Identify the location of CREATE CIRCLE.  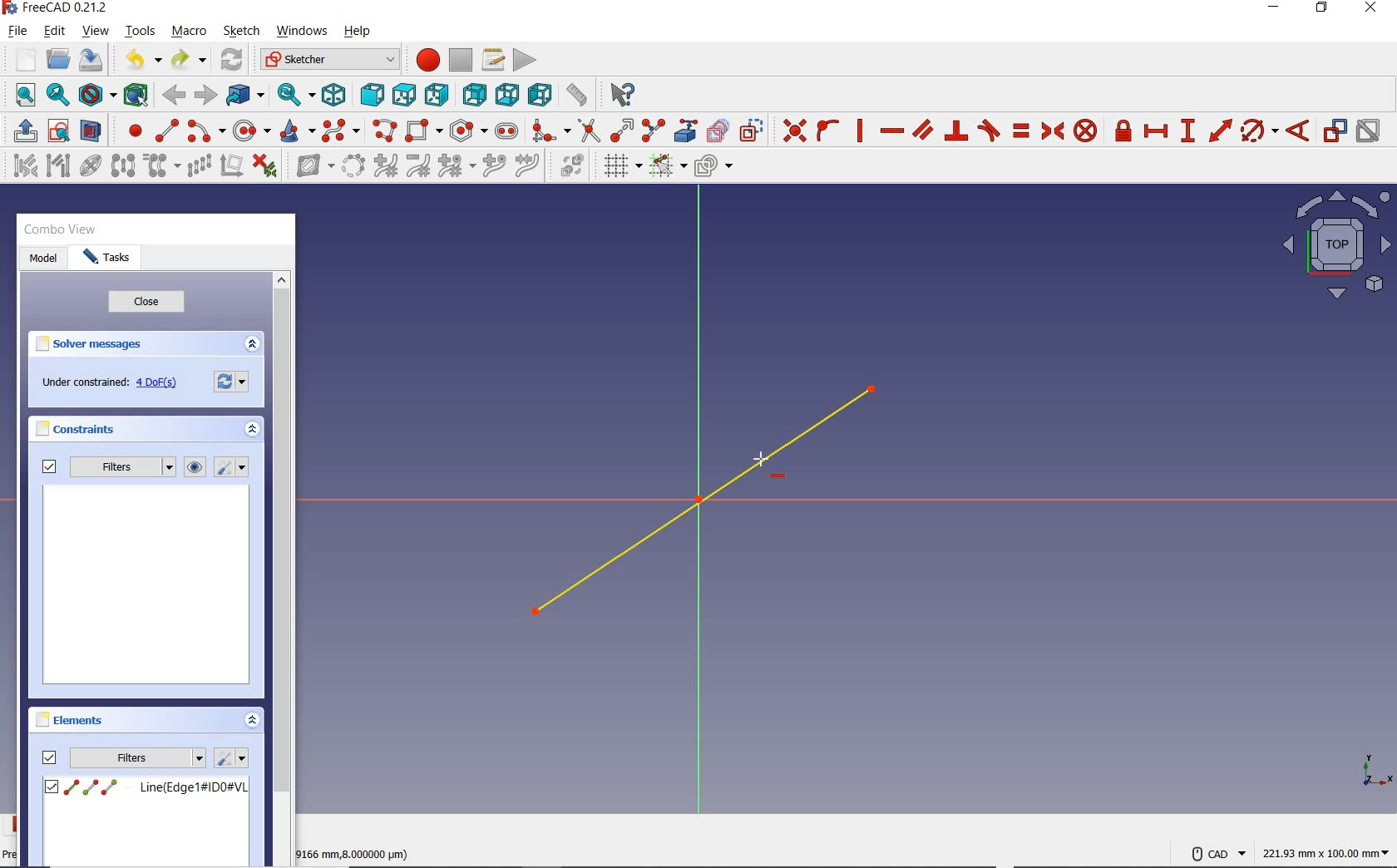
(251, 131).